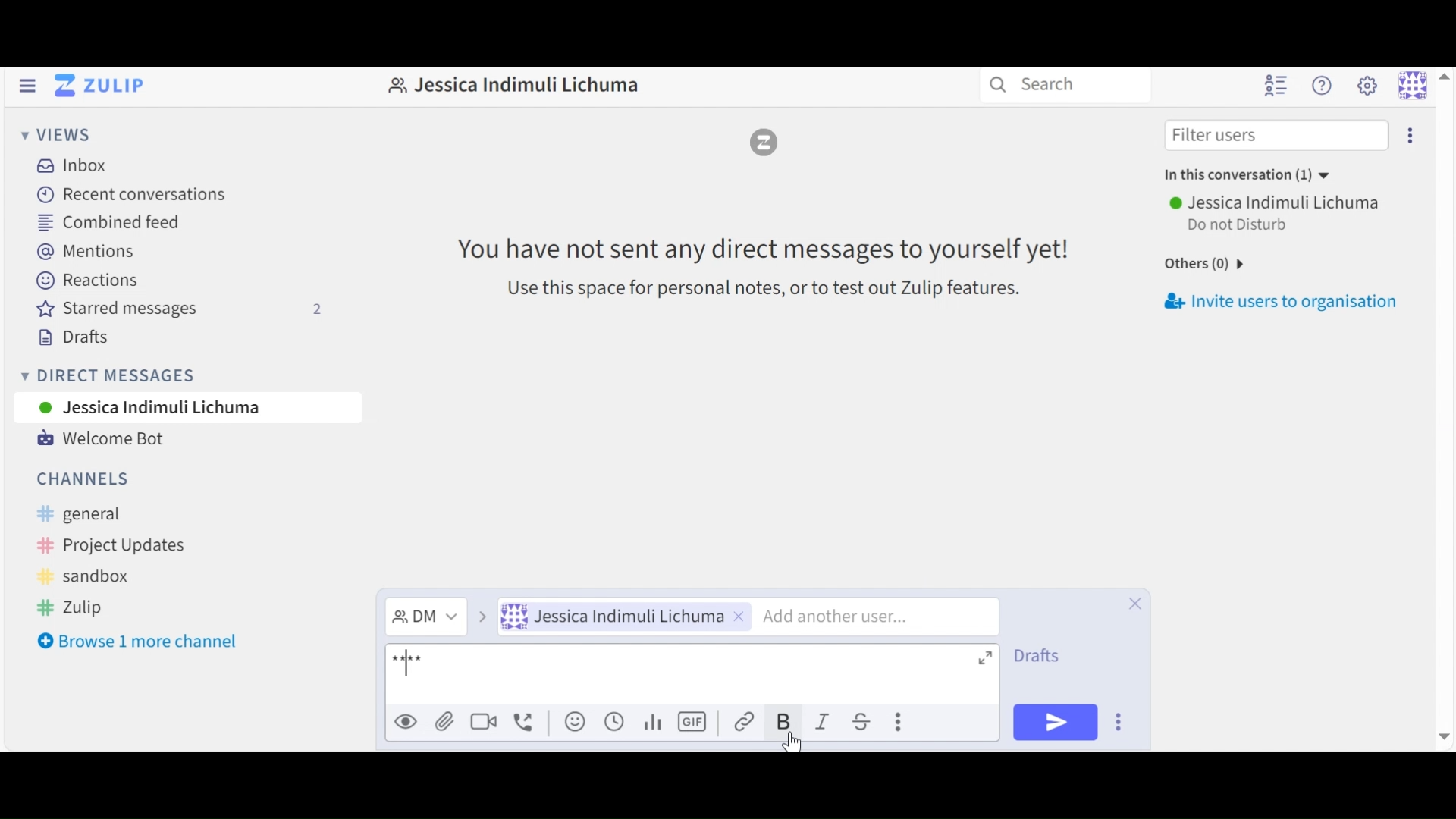 This screenshot has width=1456, height=819. I want to click on Upload files, so click(445, 721).